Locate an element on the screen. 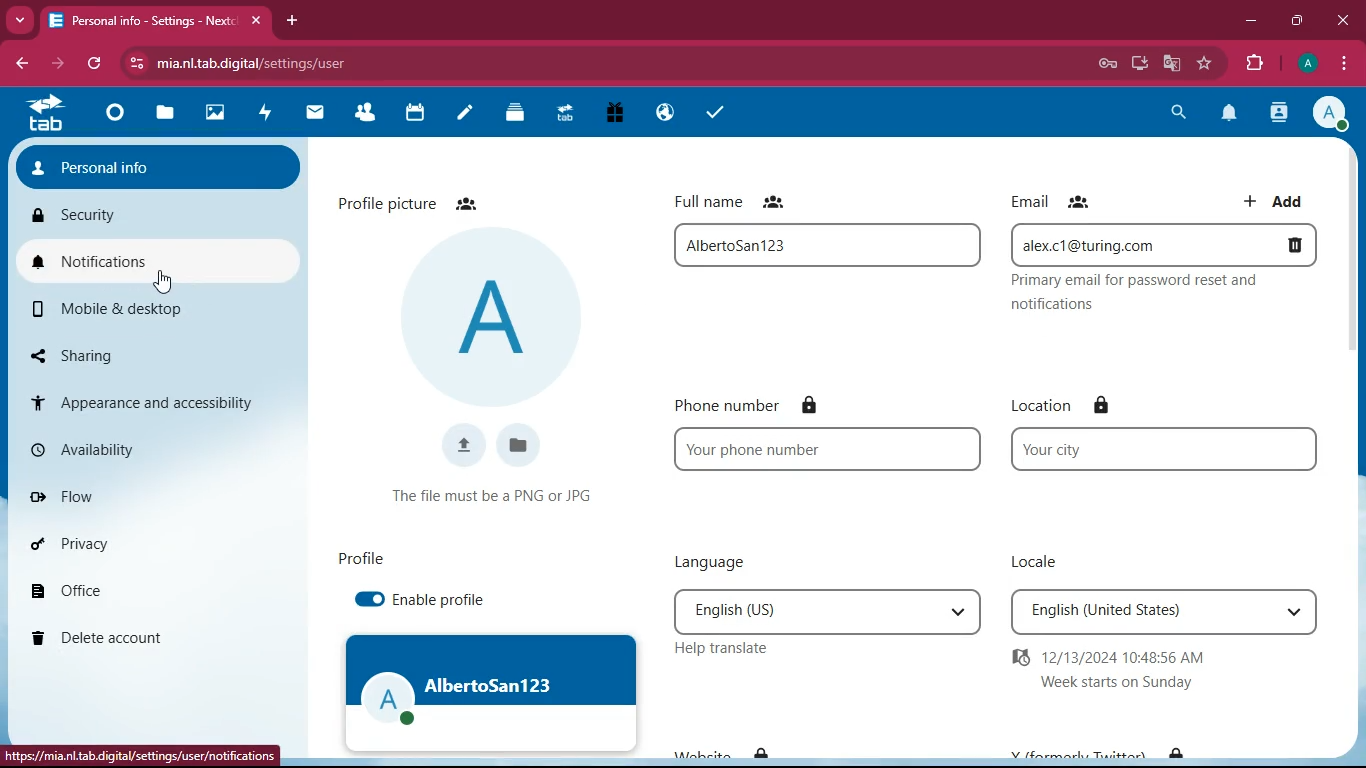 This screenshot has height=768, width=1366. full name is located at coordinates (705, 199).